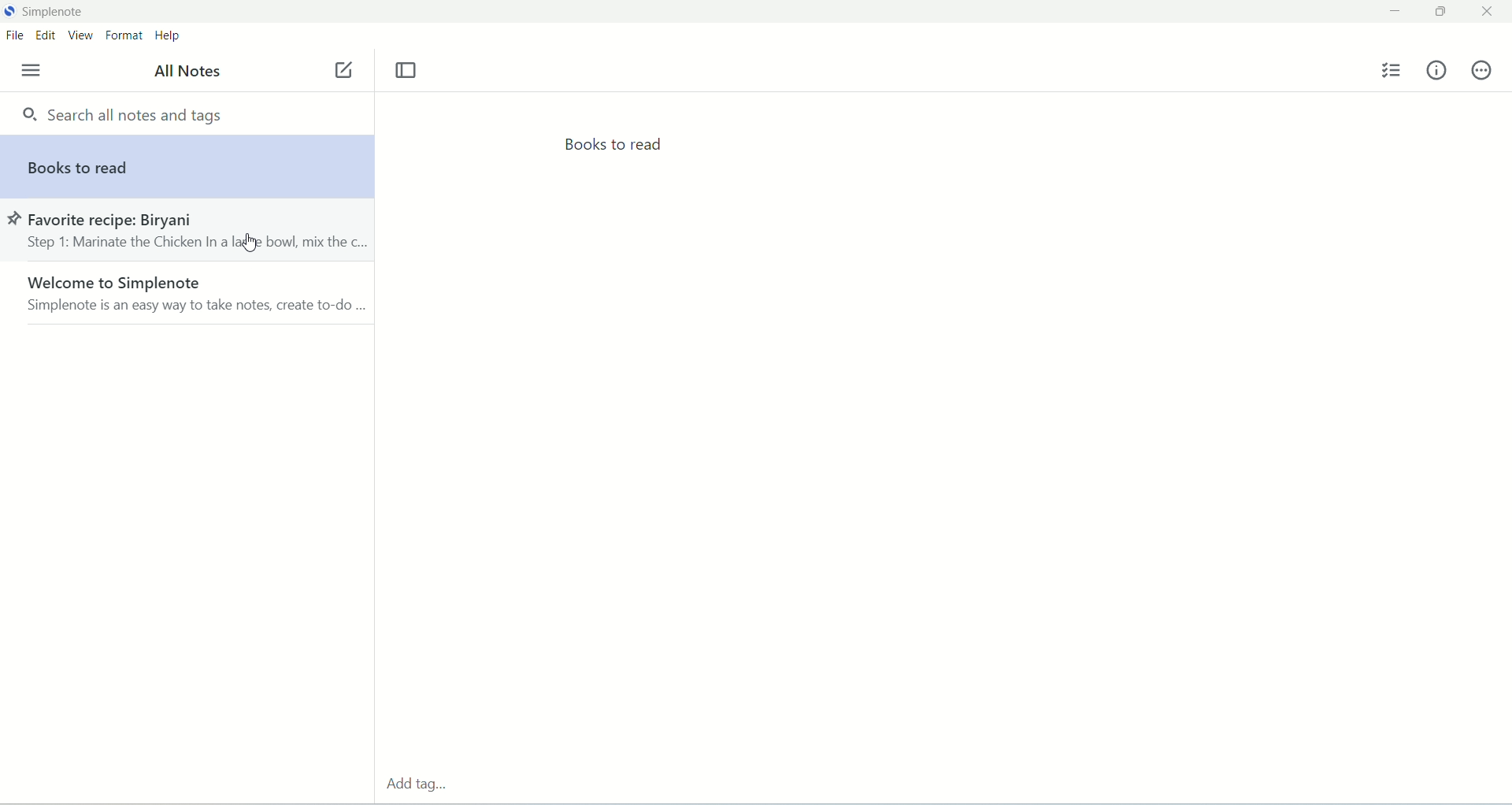  I want to click on menu, so click(27, 70).